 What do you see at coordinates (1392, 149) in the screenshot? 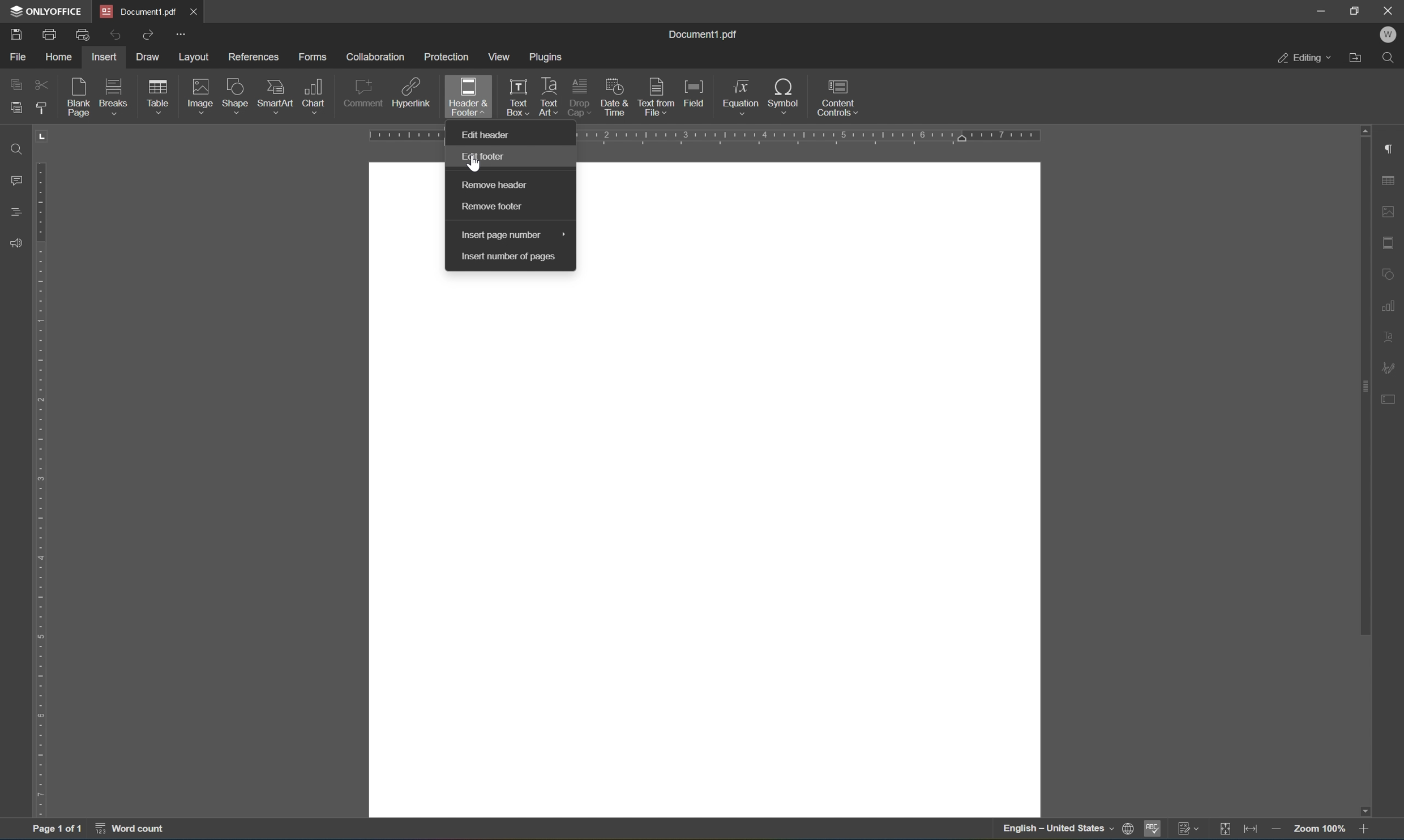
I see `paragraph settings` at bounding box center [1392, 149].